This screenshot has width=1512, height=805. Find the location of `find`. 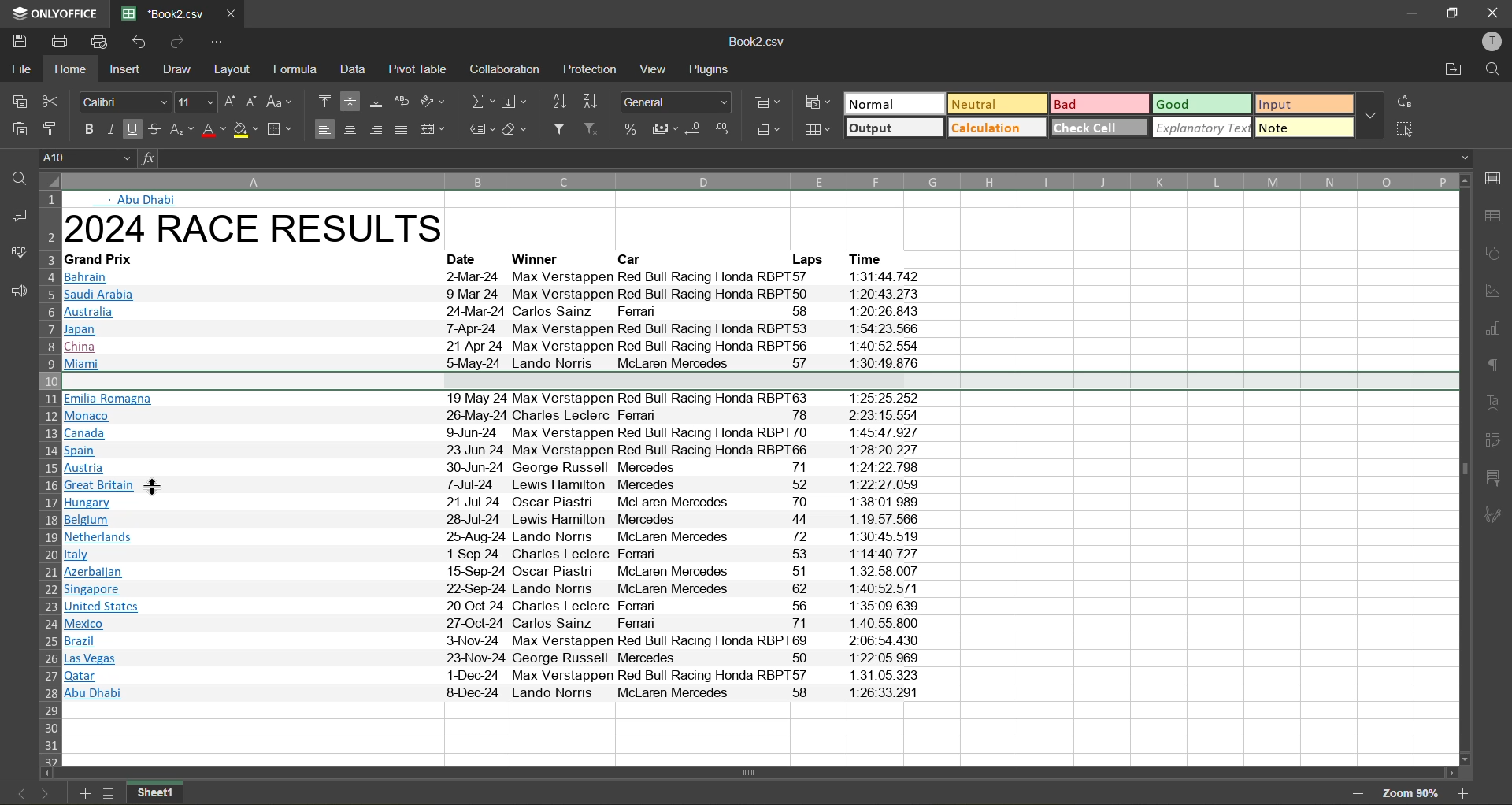

find is located at coordinates (16, 183).